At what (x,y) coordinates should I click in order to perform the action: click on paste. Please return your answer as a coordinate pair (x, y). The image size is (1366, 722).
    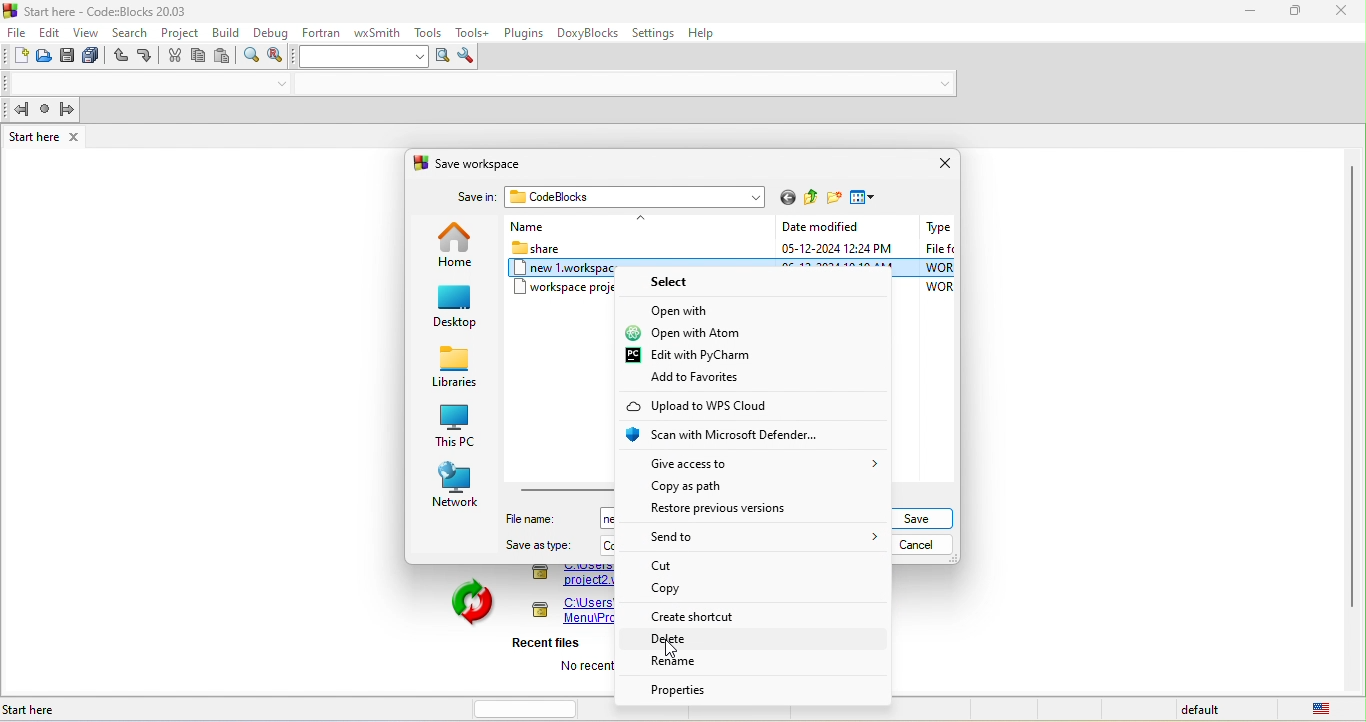
    Looking at the image, I should click on (227, 57).